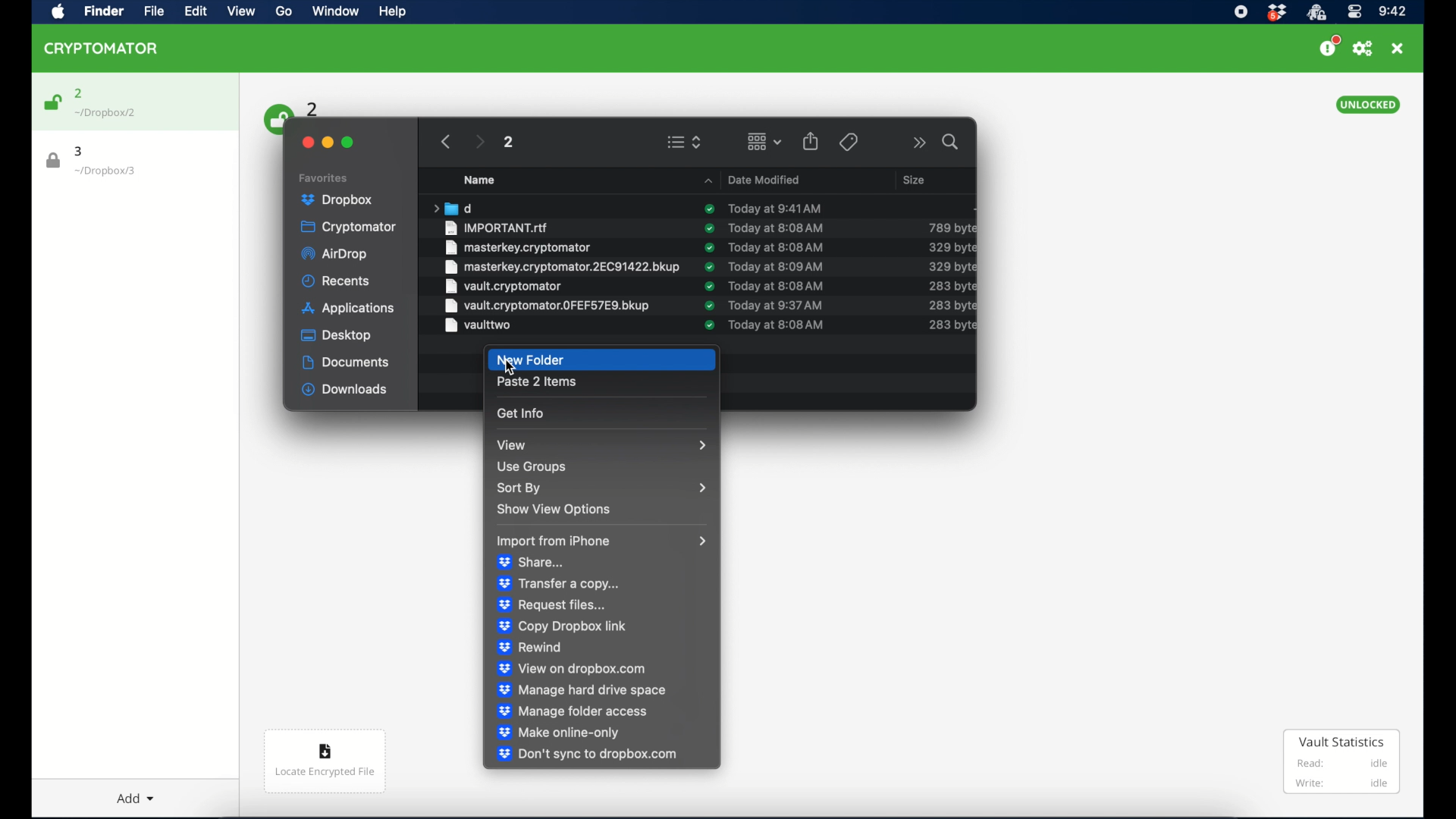 Image resolution: width=1456 pixels, height=819 pixels. I want to click on cryptomator, so click(348, 227).